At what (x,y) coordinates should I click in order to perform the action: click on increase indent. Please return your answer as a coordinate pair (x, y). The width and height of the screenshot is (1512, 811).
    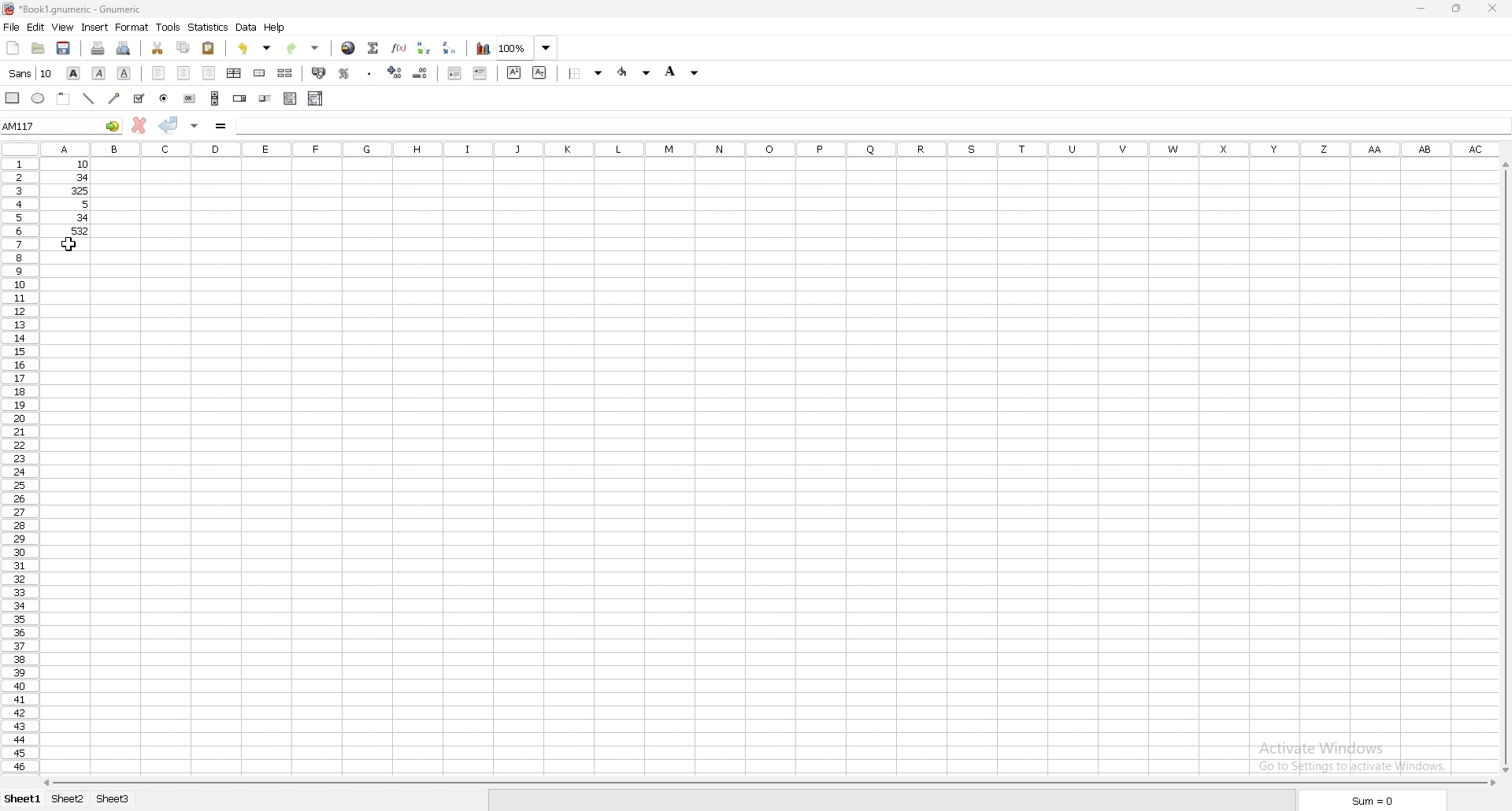
    Looking at the image, I should click on (479, 72).